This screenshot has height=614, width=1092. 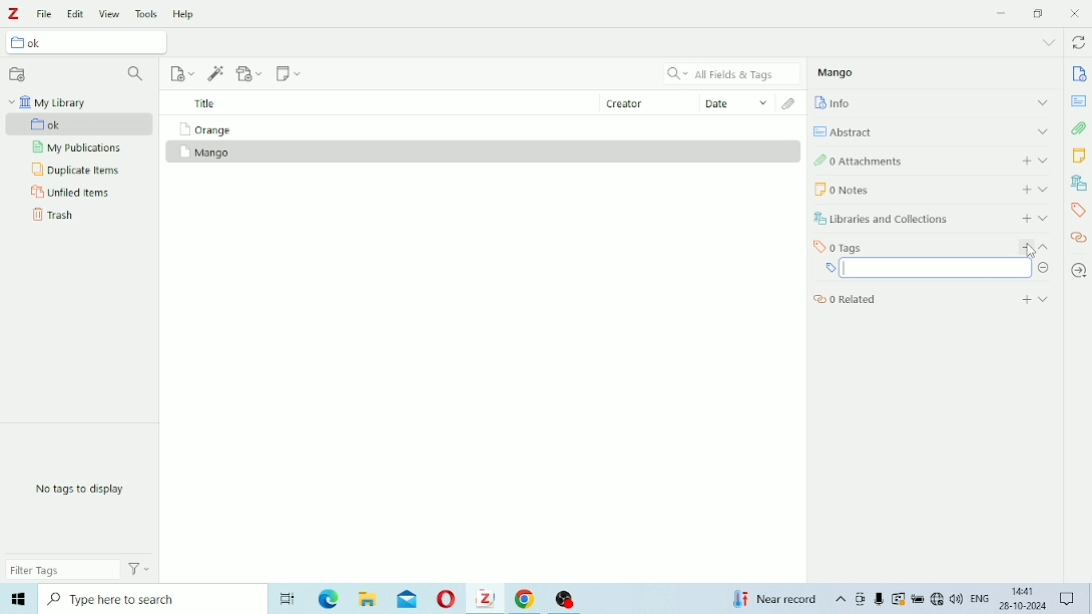 I want to click on Tags, so click(x=934, y=243).